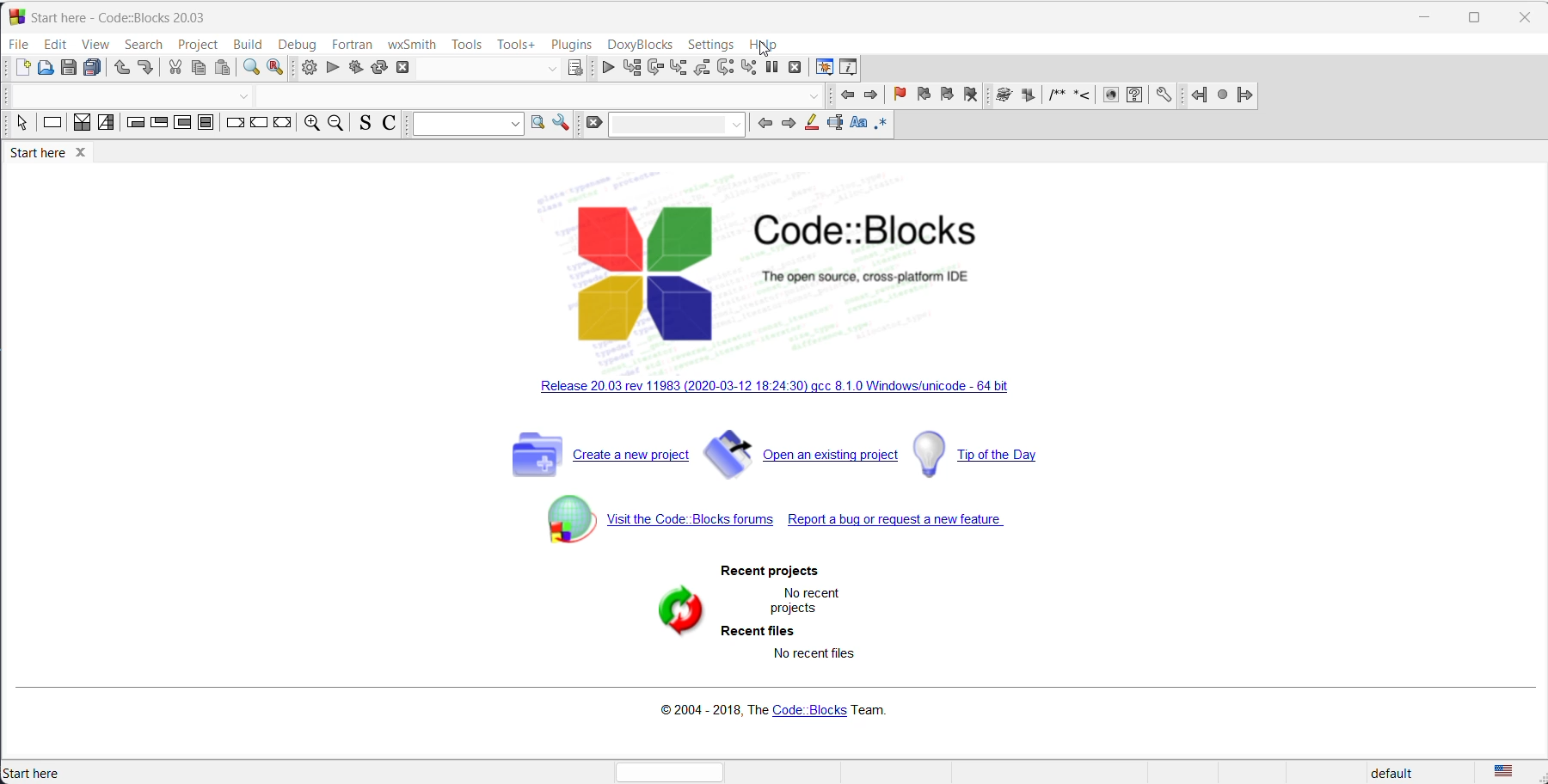  I want to click on replace, so click(276, 68).